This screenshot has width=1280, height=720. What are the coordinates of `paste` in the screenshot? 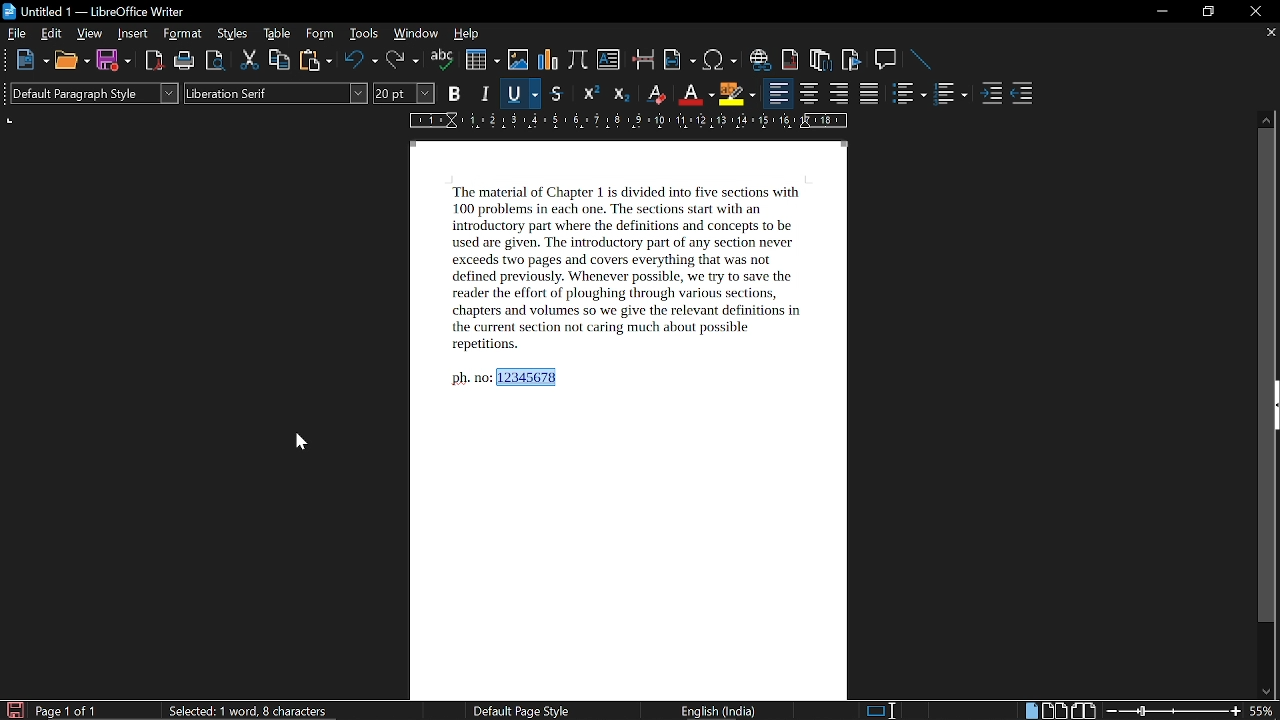 It's located at (316, 60).